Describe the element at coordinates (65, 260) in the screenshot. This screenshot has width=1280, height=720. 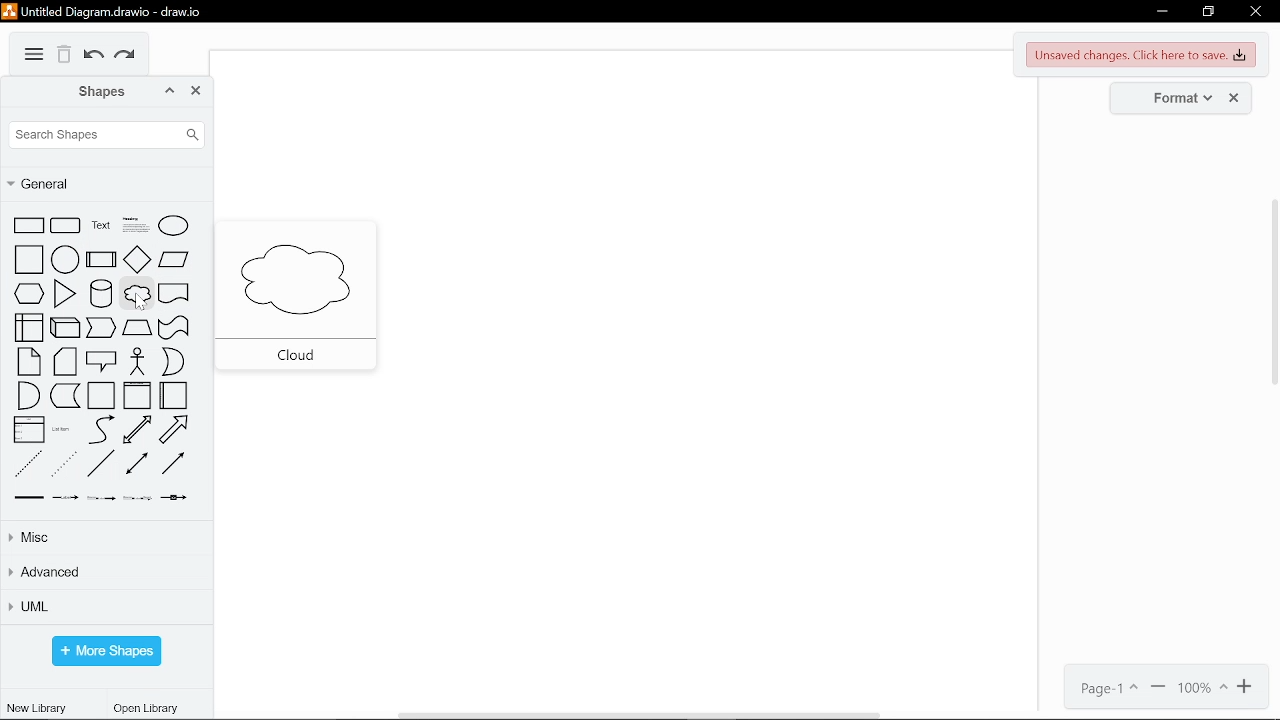
I see `circle` at that location.